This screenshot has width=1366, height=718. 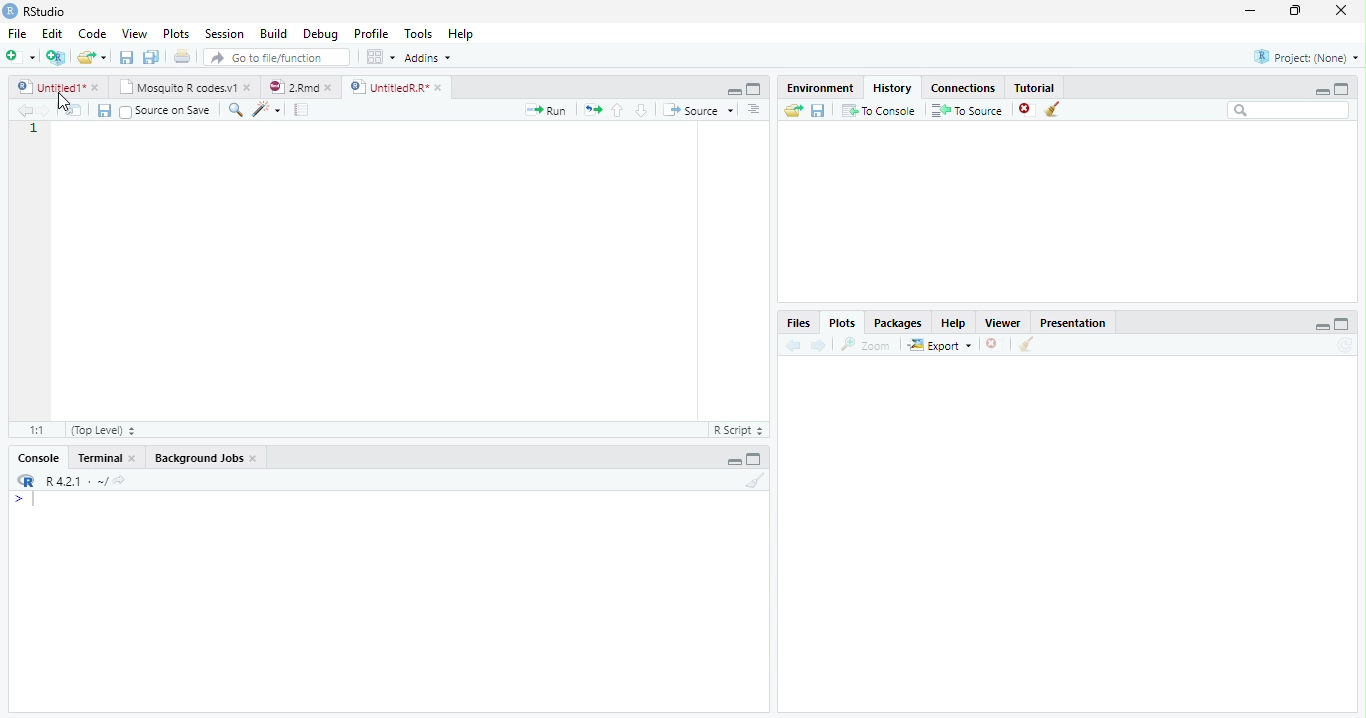 I want to click on close, so click(x=1341, y=10).